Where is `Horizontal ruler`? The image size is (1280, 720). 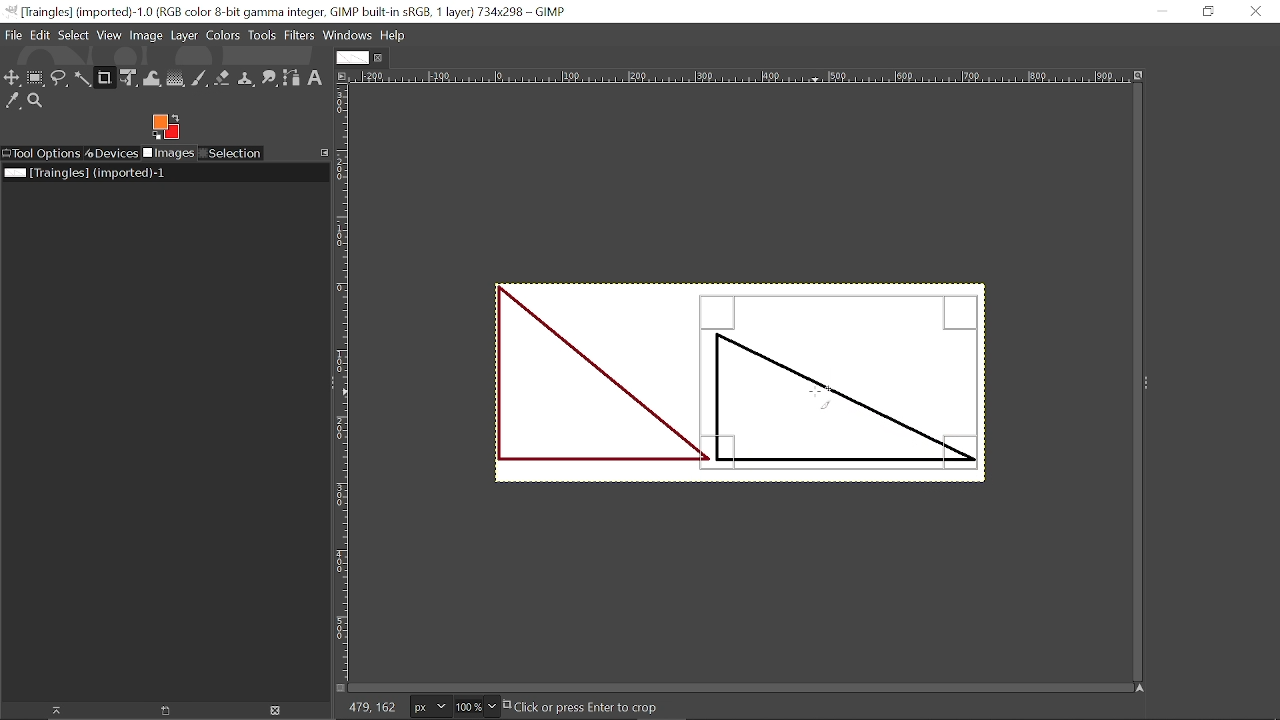 Horizontal ruler is located at coordinates (740, 77).